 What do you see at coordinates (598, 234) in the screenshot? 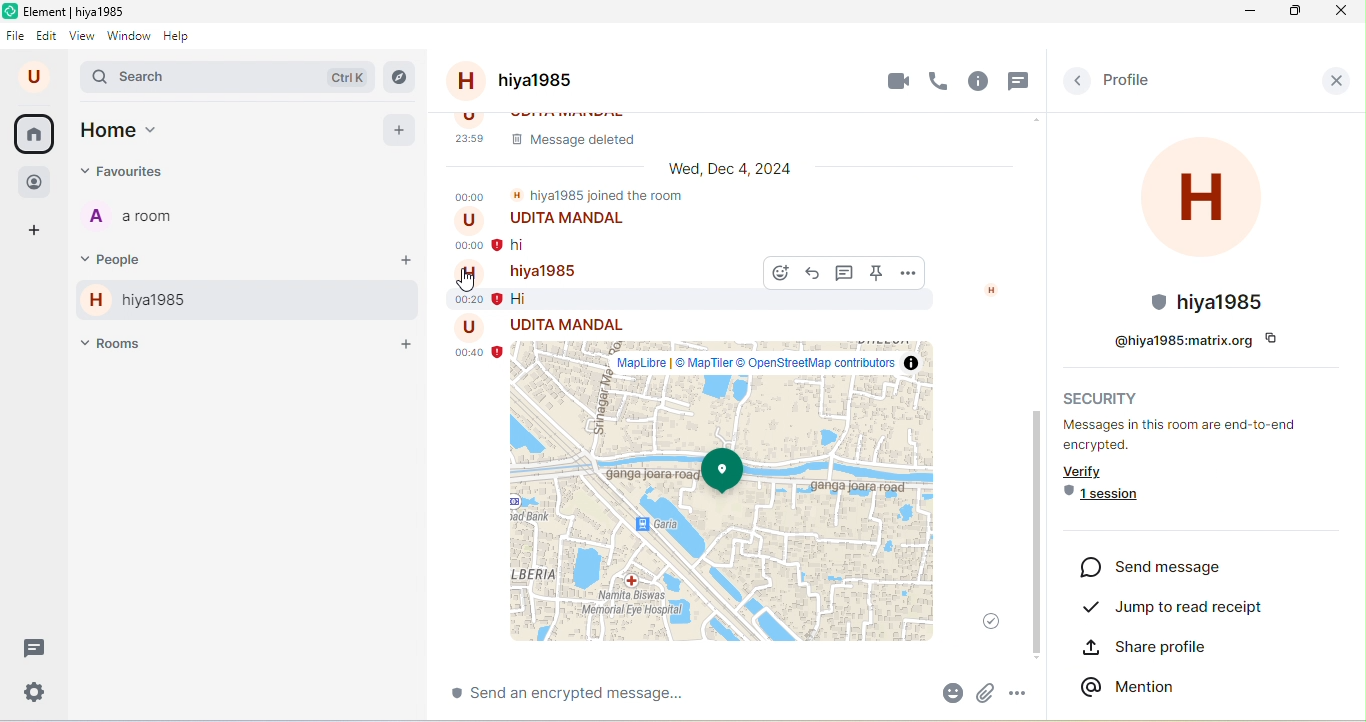
I see `message from UDITA MANDAL` at bounding box center [598, 234].